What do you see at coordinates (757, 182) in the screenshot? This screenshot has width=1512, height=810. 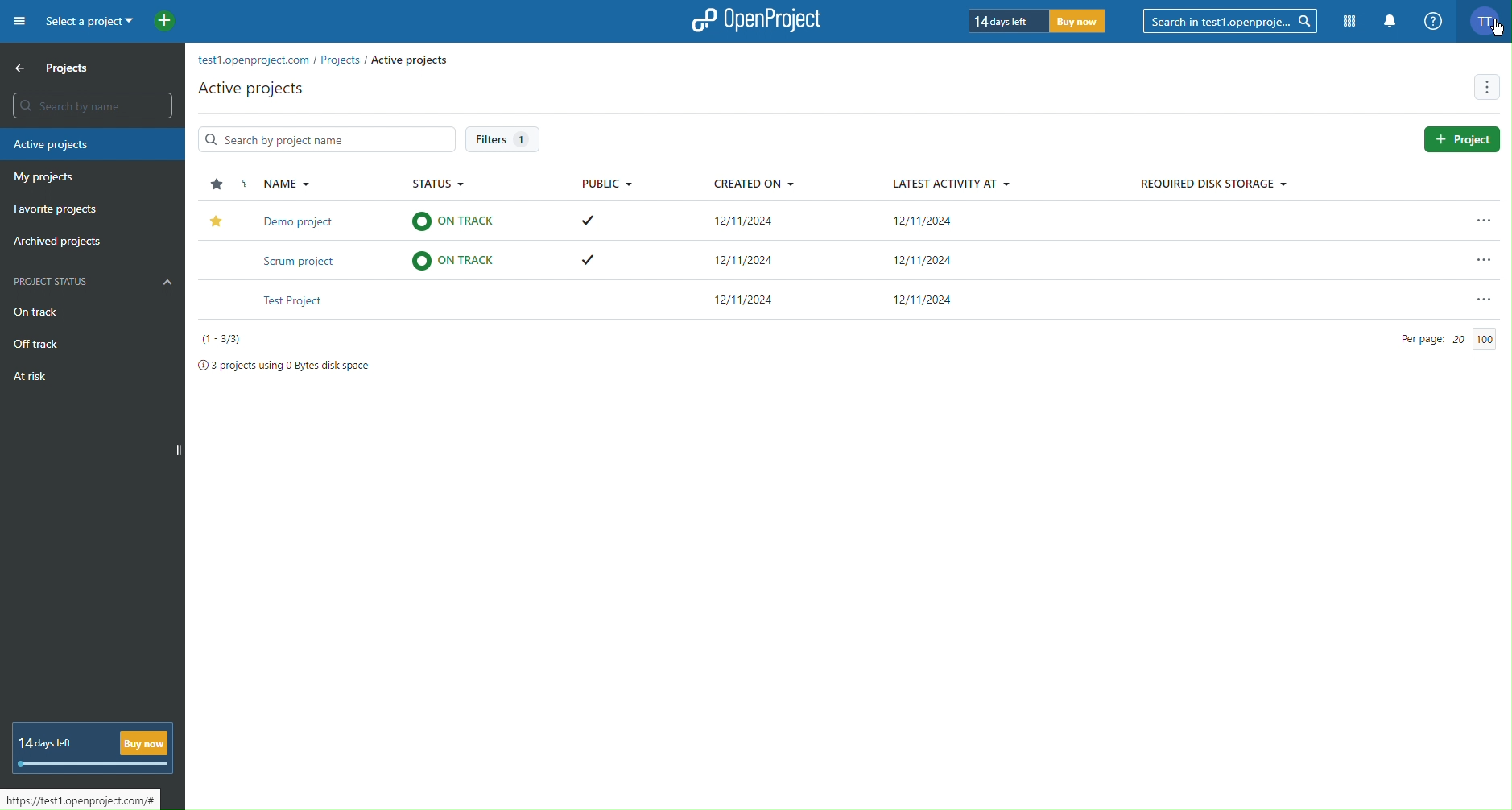 I see `Created On` at bounding box center [757, 182].